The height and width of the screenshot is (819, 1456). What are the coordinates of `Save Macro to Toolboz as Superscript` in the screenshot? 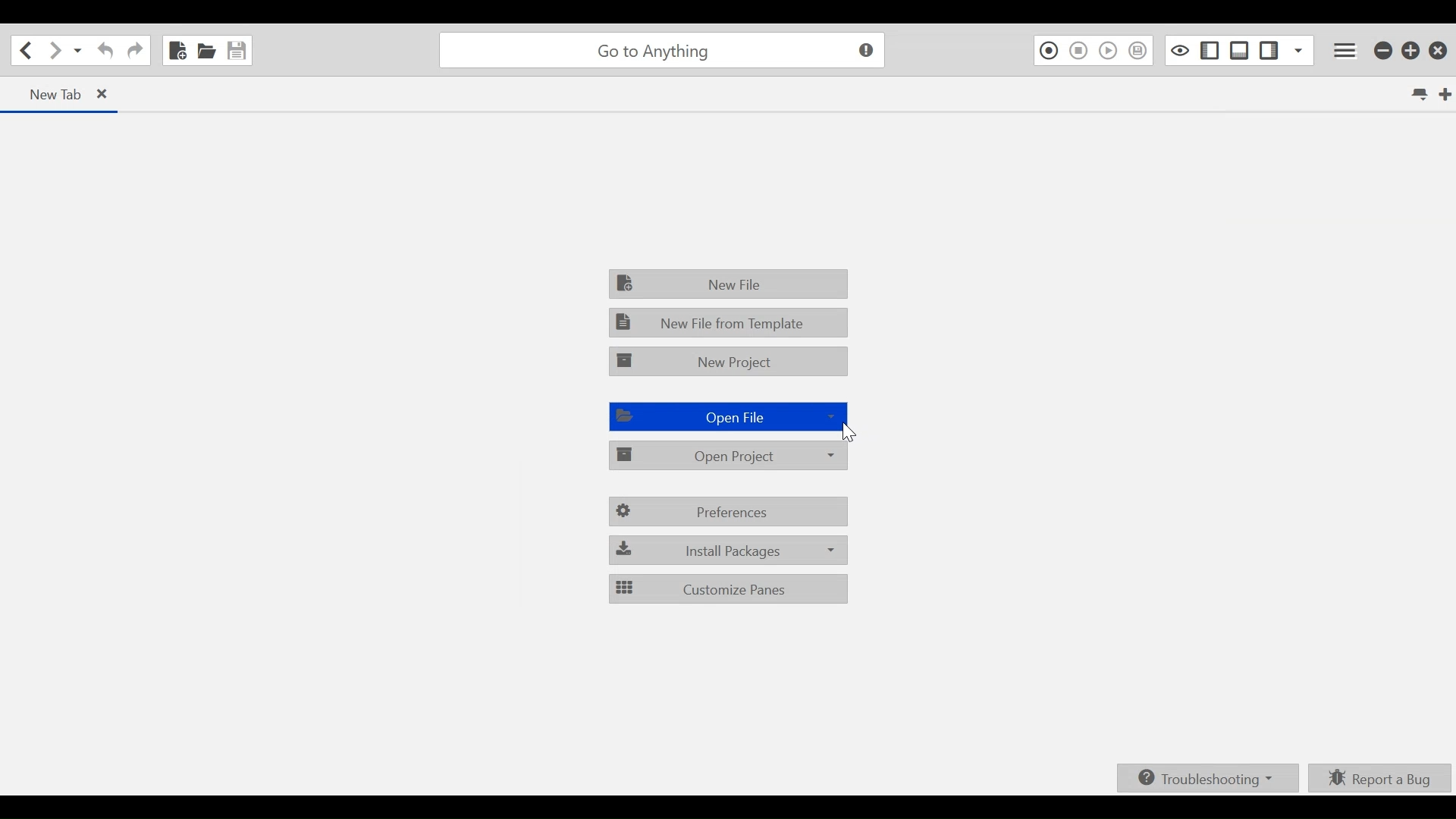 It's located at (1141, 50).